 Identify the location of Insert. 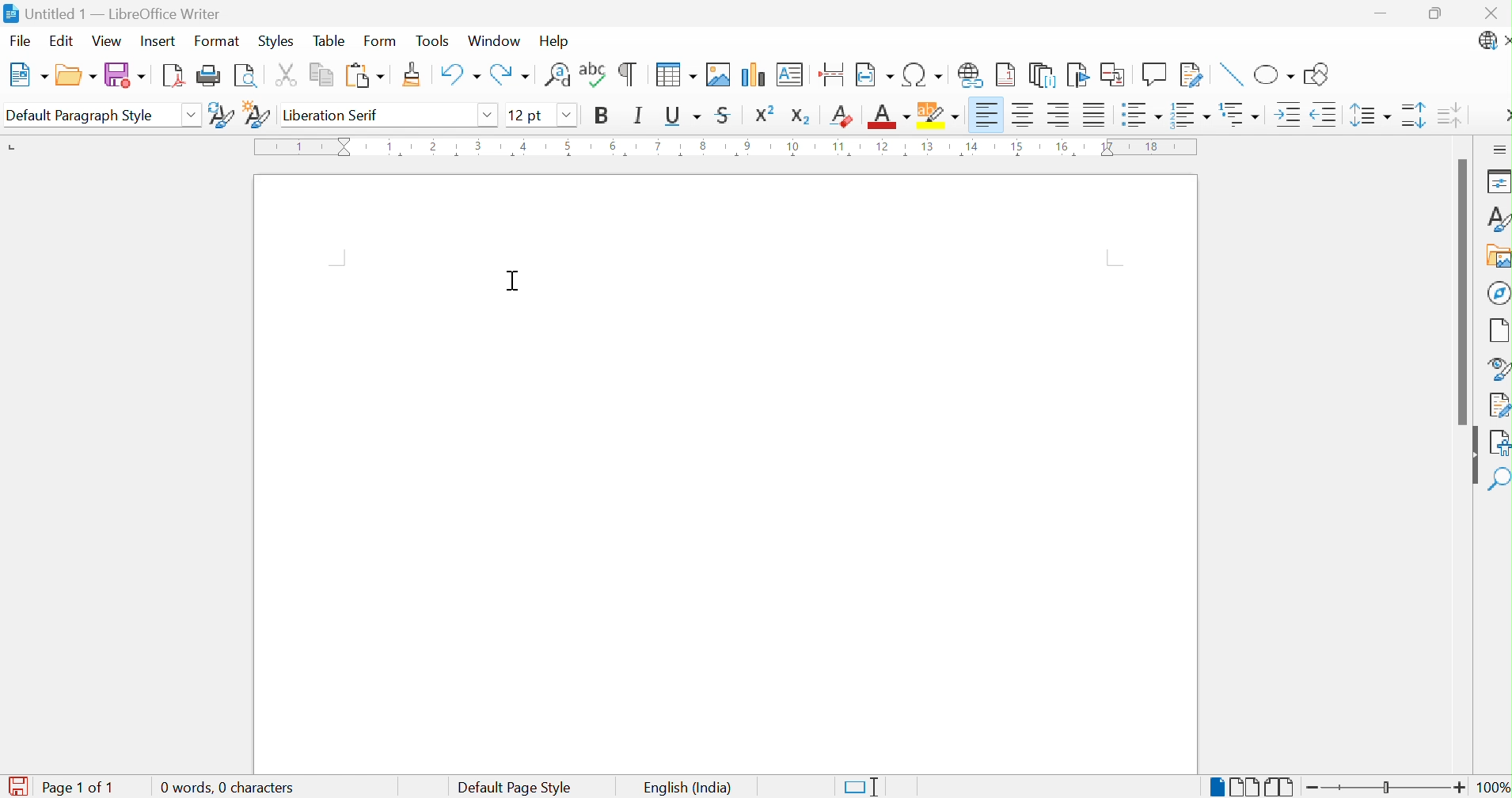
(160, 40).